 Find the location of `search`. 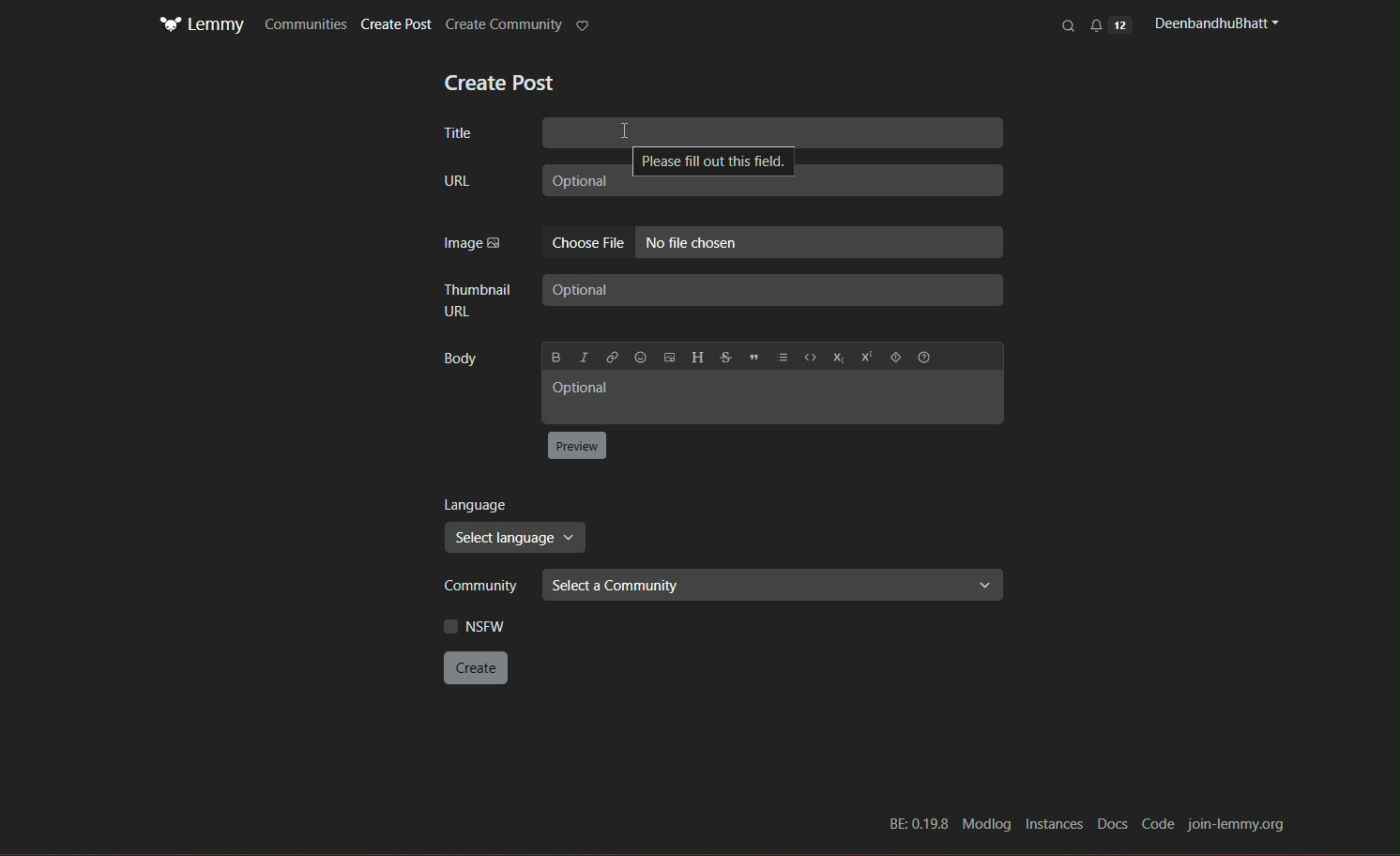

search is located at coordinates (1070, 25).